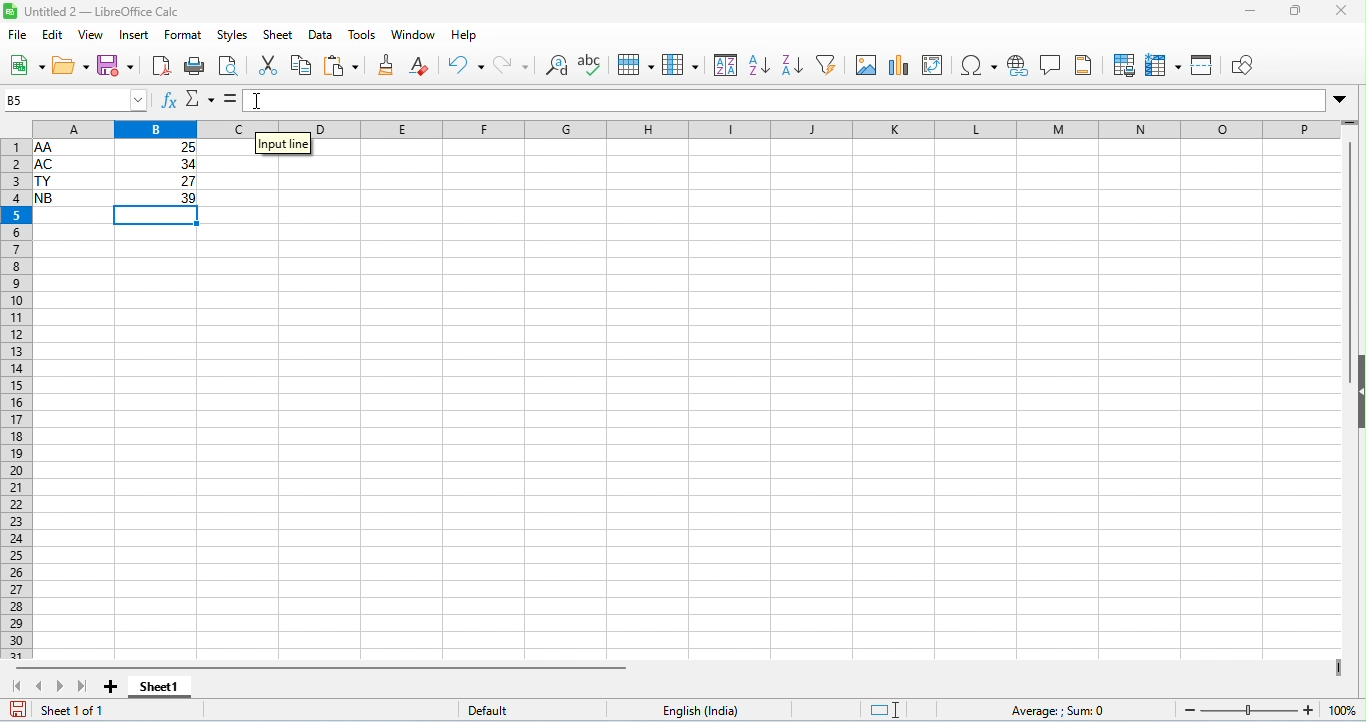 The height and width of the screenshot is (722, 1366). Describe the element at coordinates (761, 65) in the screenshot. I see `sort ascending` at that location.